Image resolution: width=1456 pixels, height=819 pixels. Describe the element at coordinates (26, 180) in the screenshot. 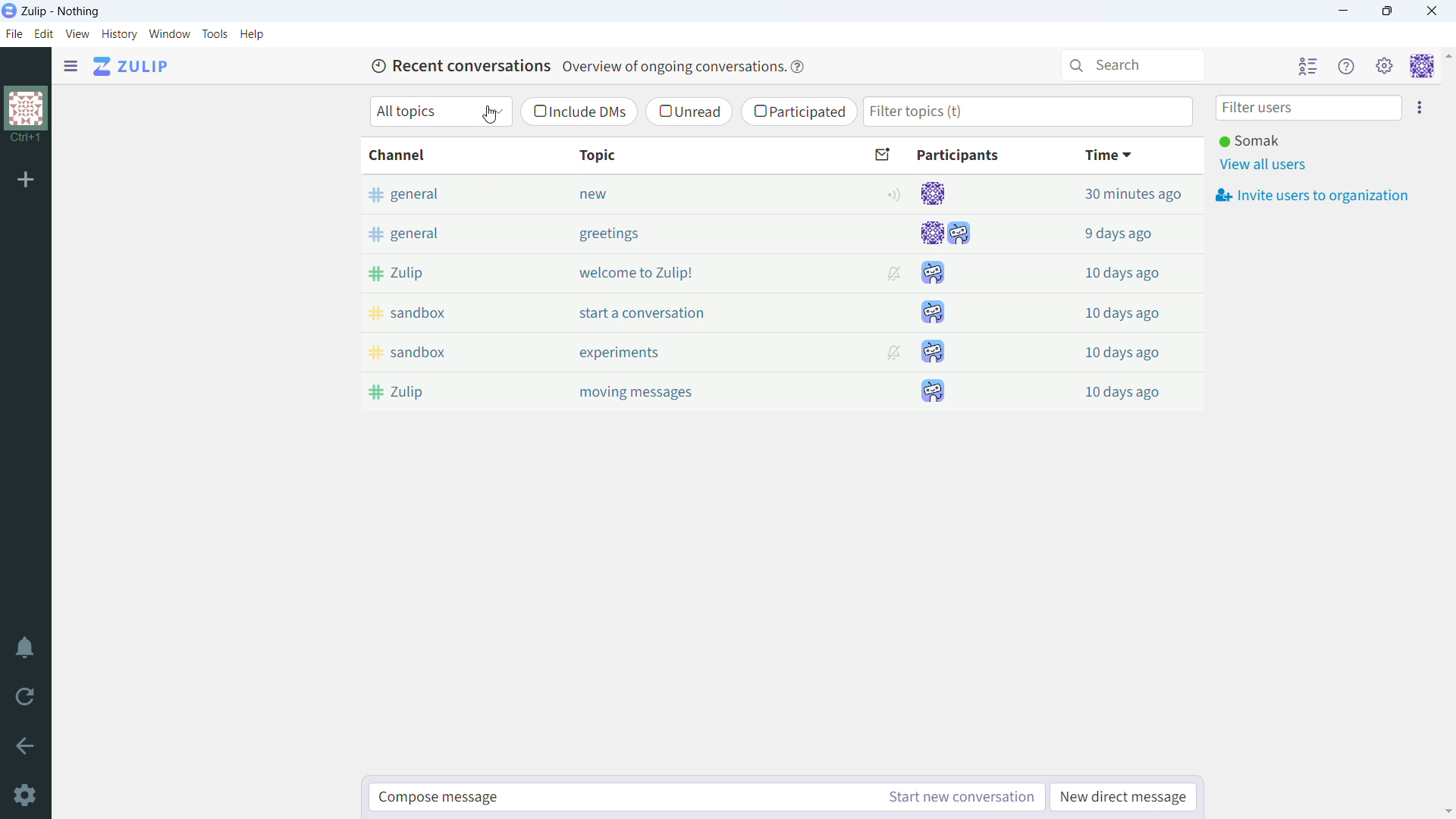

I see `add organization` at that location.